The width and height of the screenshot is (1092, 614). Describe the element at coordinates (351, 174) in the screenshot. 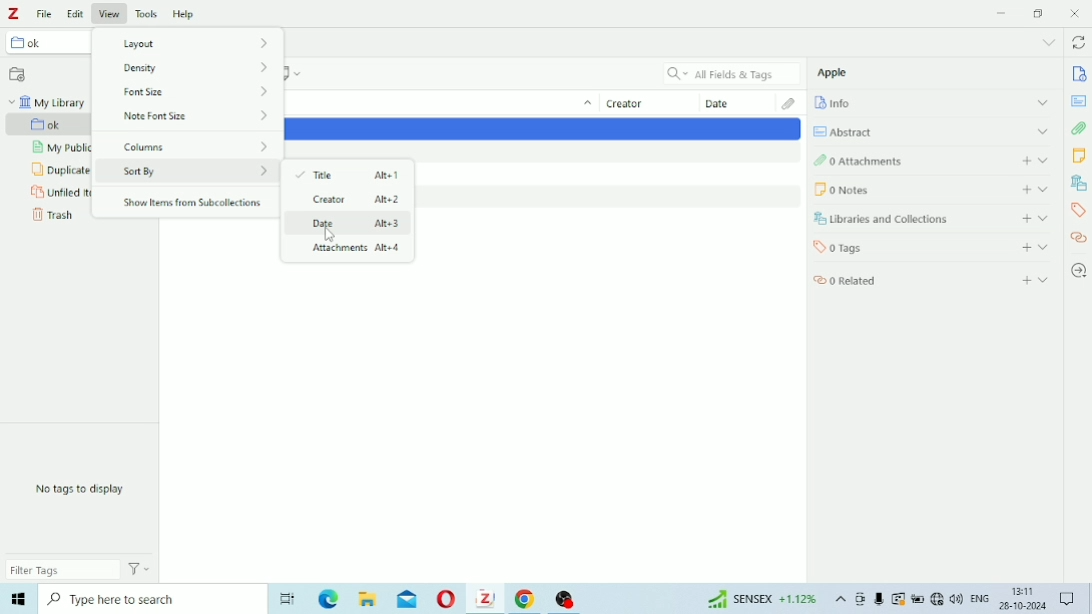

I see `Title Alt + 1` at that location.